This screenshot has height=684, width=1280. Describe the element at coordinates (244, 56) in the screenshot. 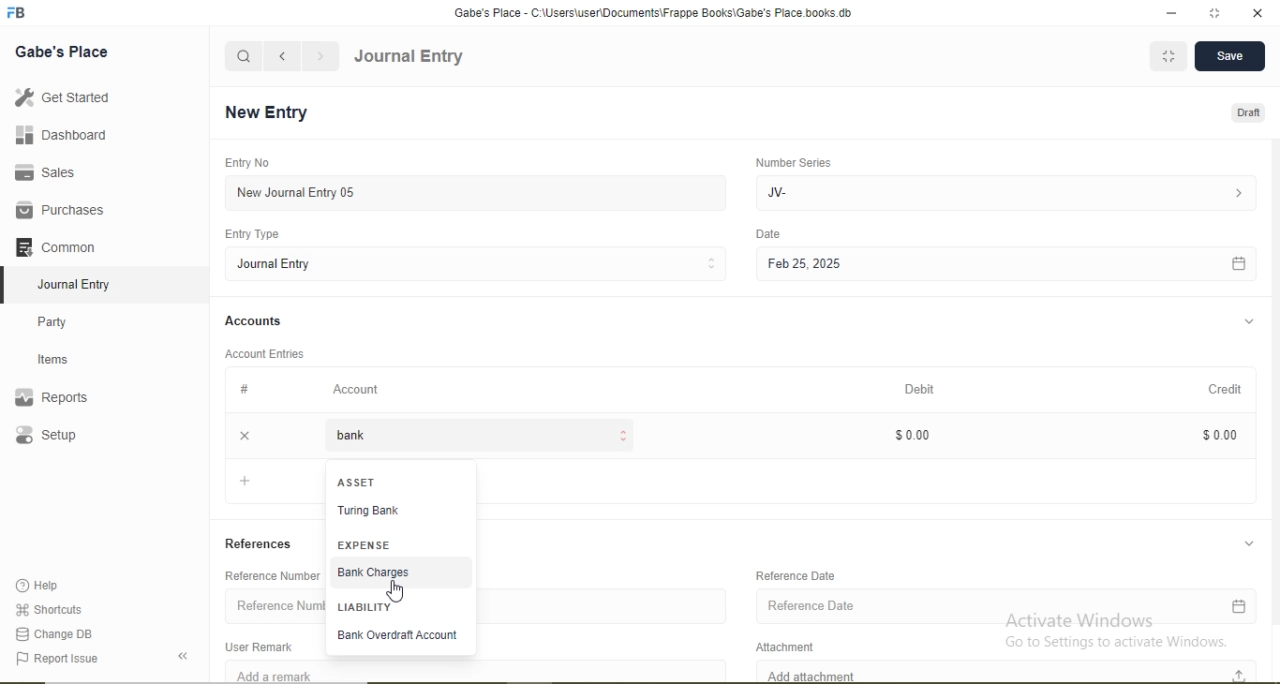

I see `search` at that location.